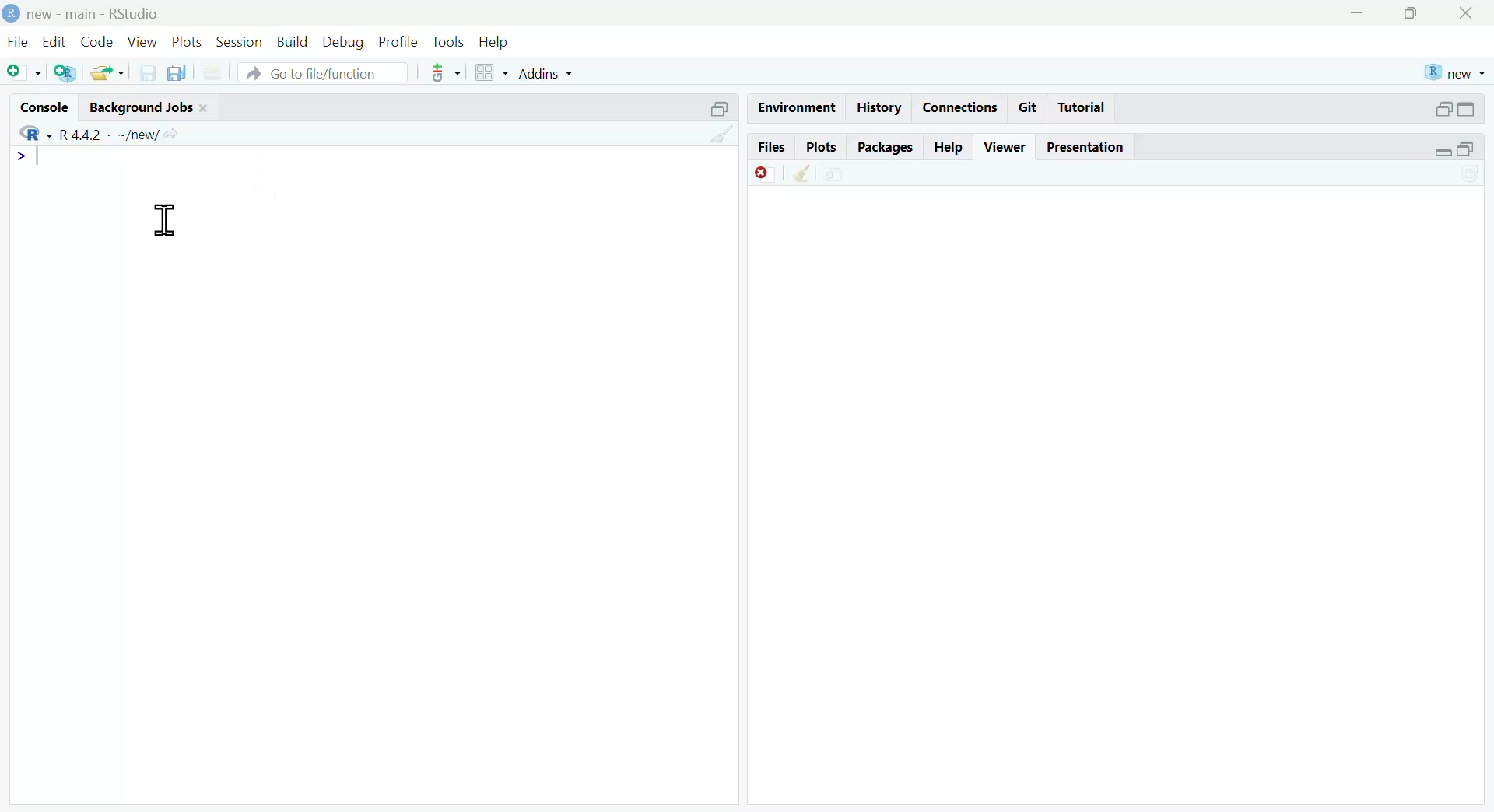 Image resolution: width=1494 pixels, height=812 pixels. What do you see at coordinates (288, 40) in the screenshot?
I see `Build` at bounding box center [288, 40].